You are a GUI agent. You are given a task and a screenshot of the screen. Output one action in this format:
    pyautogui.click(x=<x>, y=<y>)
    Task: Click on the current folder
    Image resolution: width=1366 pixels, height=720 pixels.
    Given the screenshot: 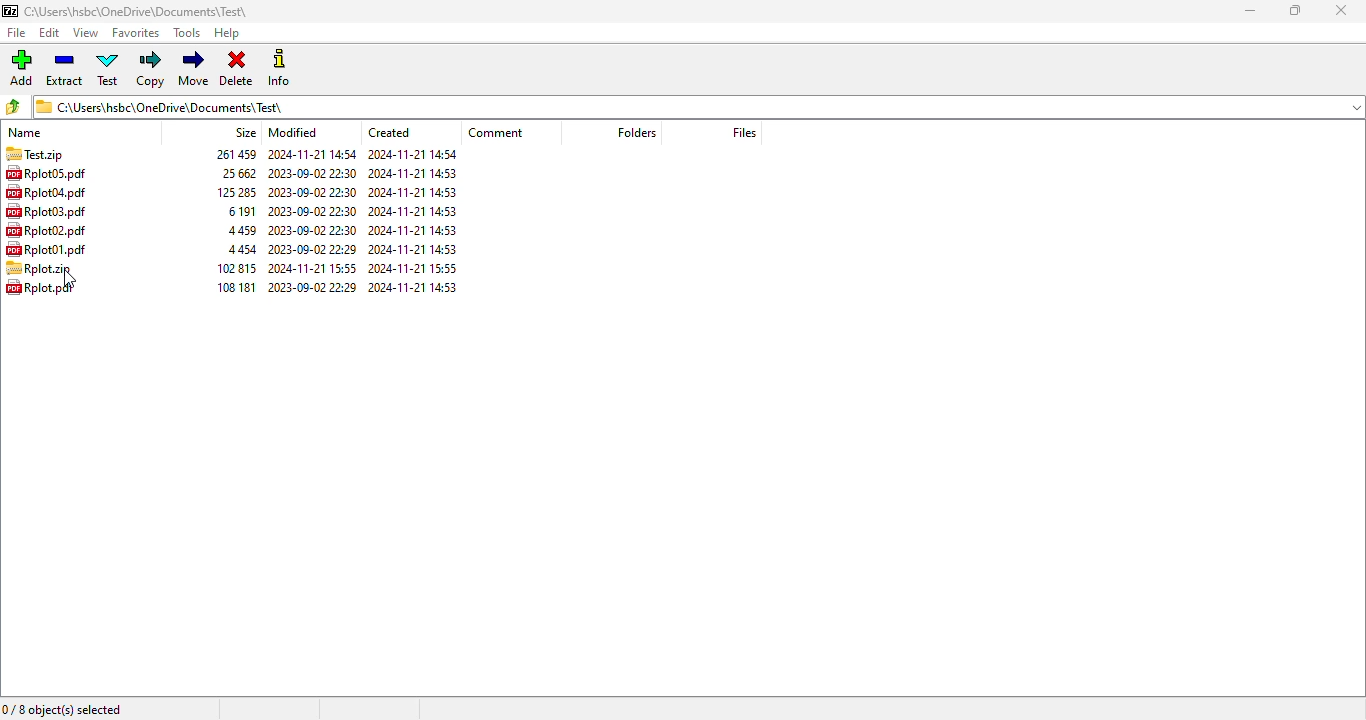 What is the action you would take?
    pyautogui.click(x=698, y=106)
    